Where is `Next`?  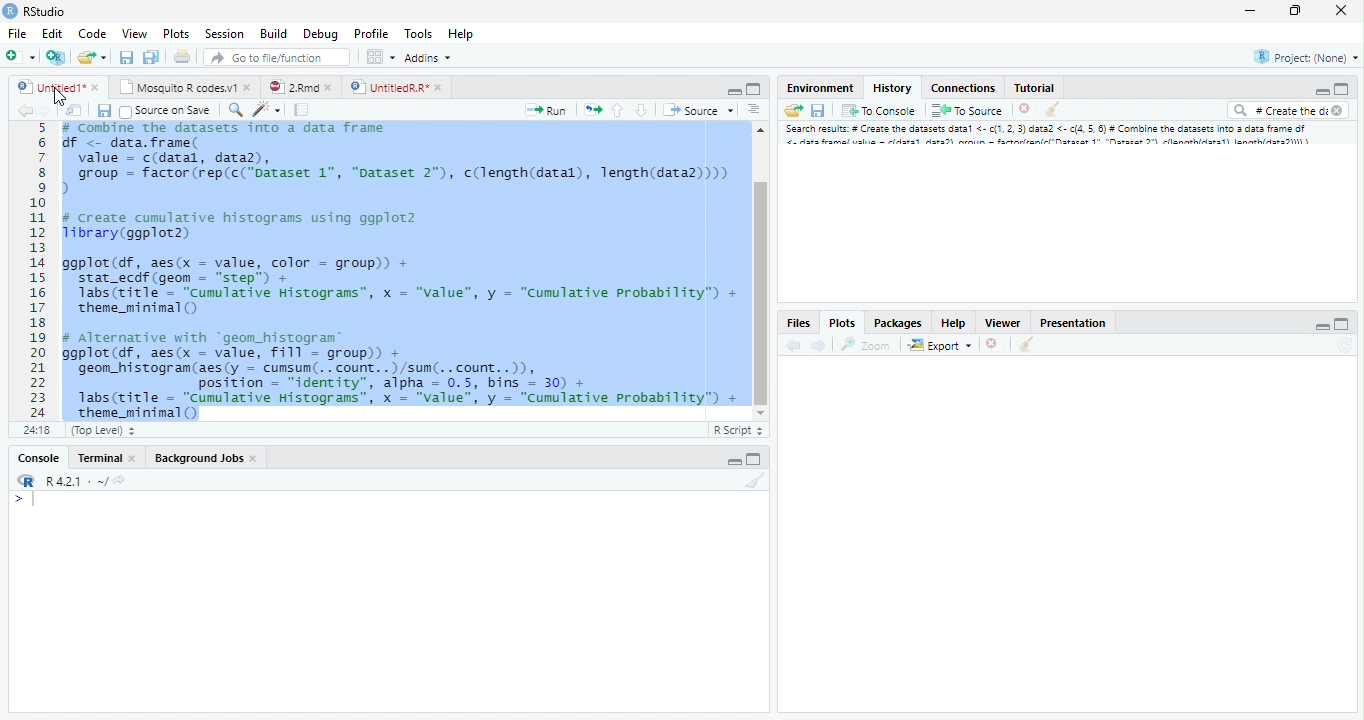
Next is located at coordinates (43, 114).